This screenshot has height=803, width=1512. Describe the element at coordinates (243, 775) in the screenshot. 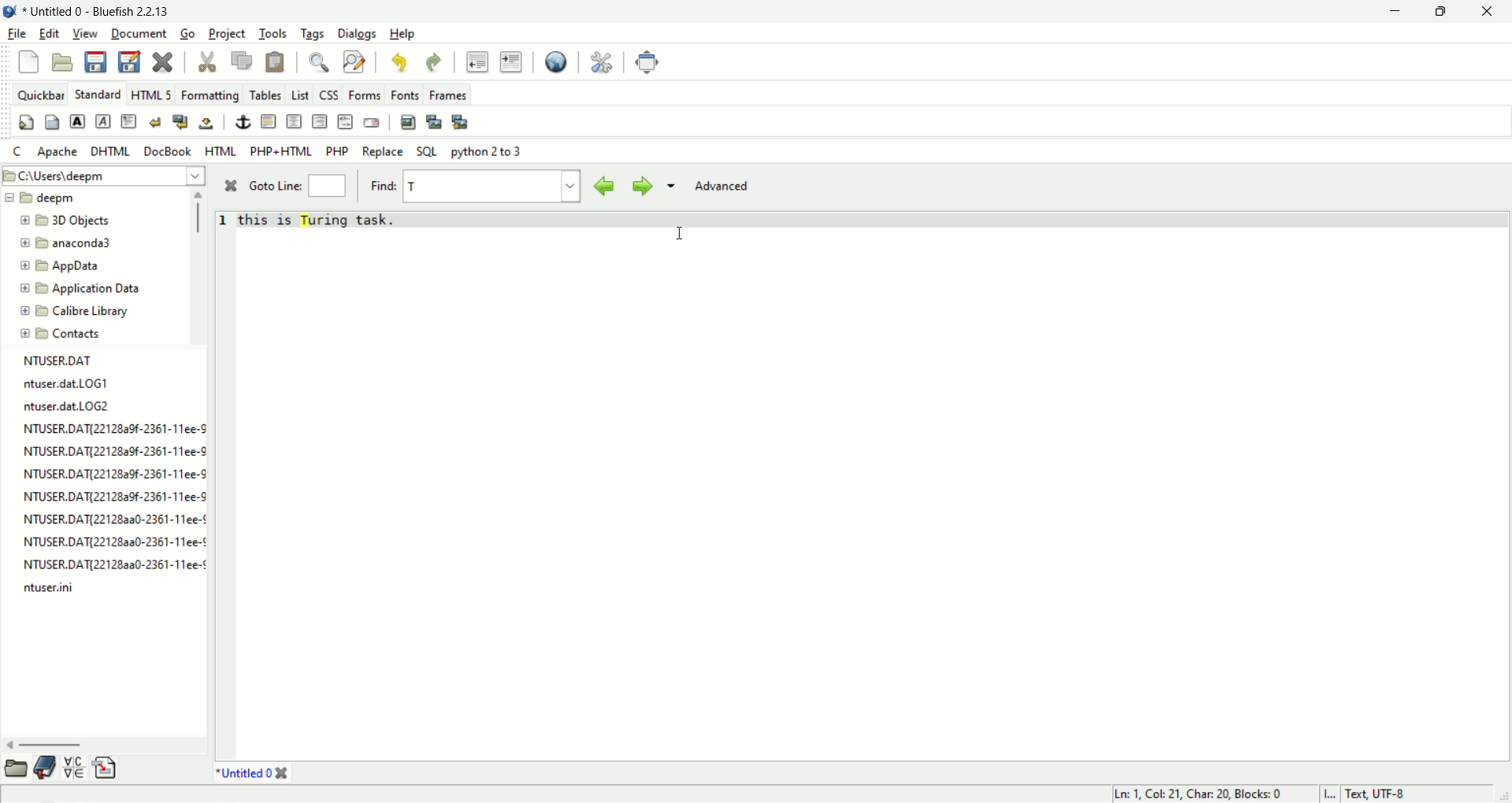

I see `document name` at that location.